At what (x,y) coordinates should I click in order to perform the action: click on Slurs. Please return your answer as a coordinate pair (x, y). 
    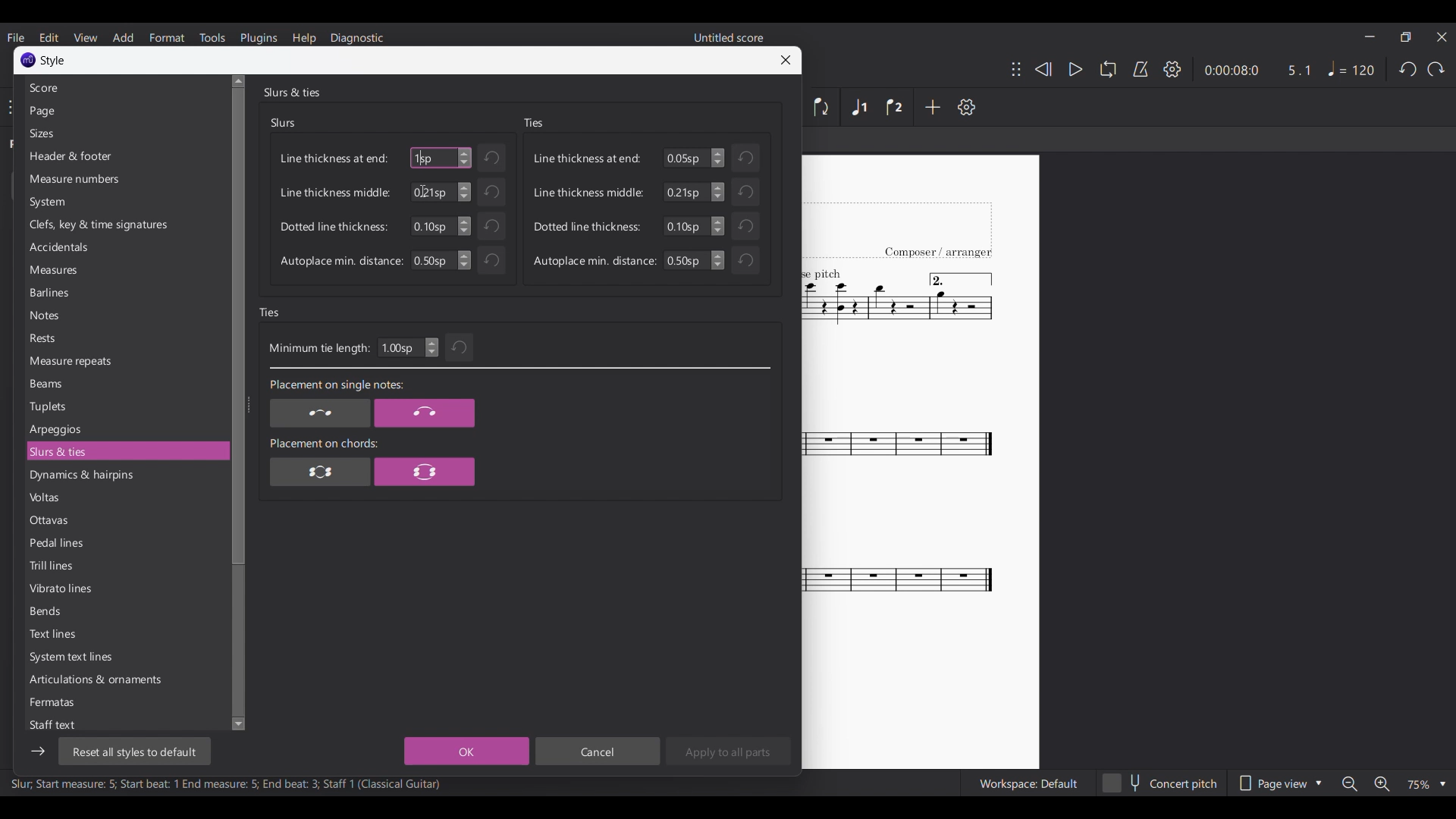
    Looking at the image, I should click on (284, 123).